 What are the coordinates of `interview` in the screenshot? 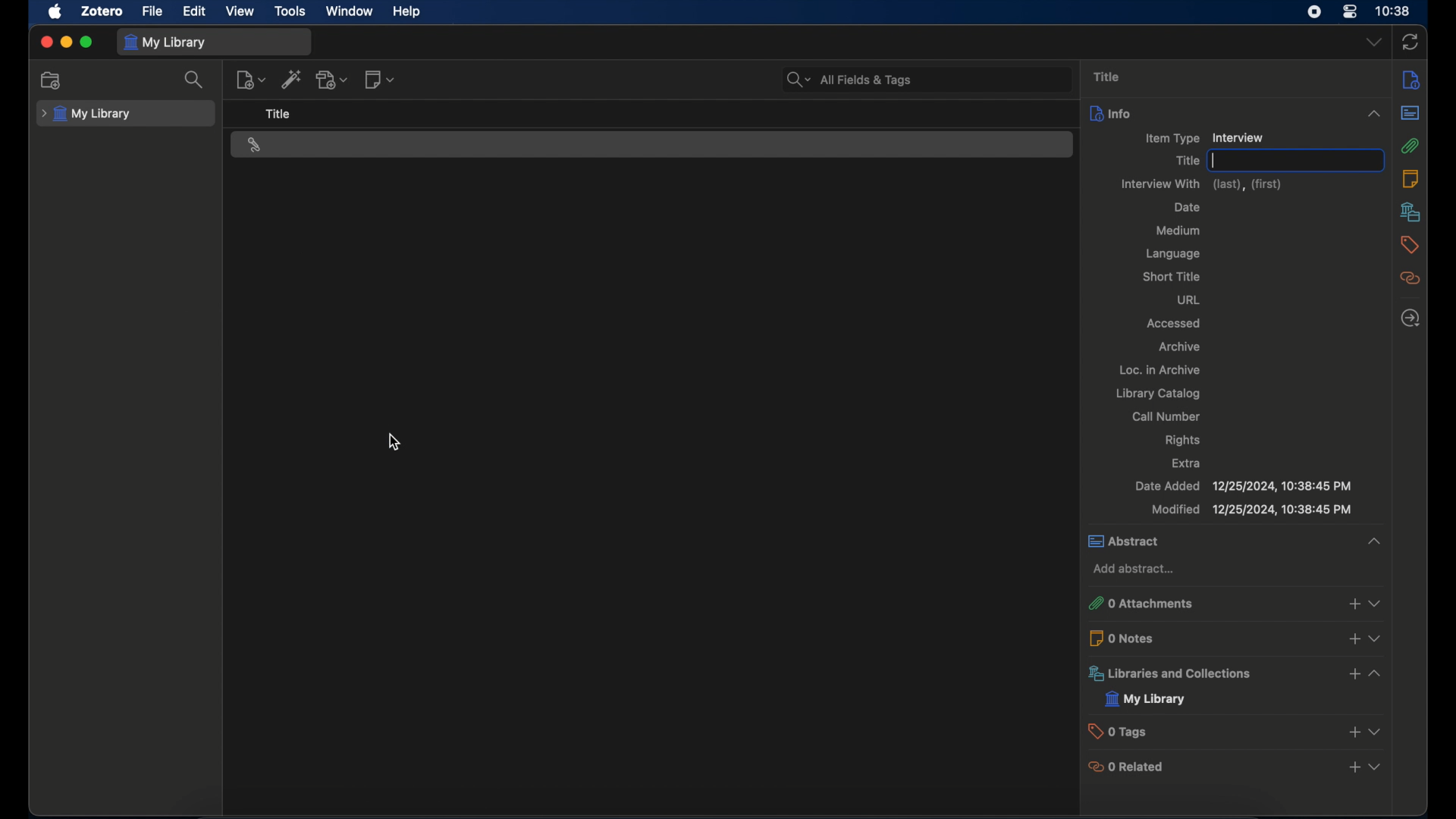 It's located at (254, 146).